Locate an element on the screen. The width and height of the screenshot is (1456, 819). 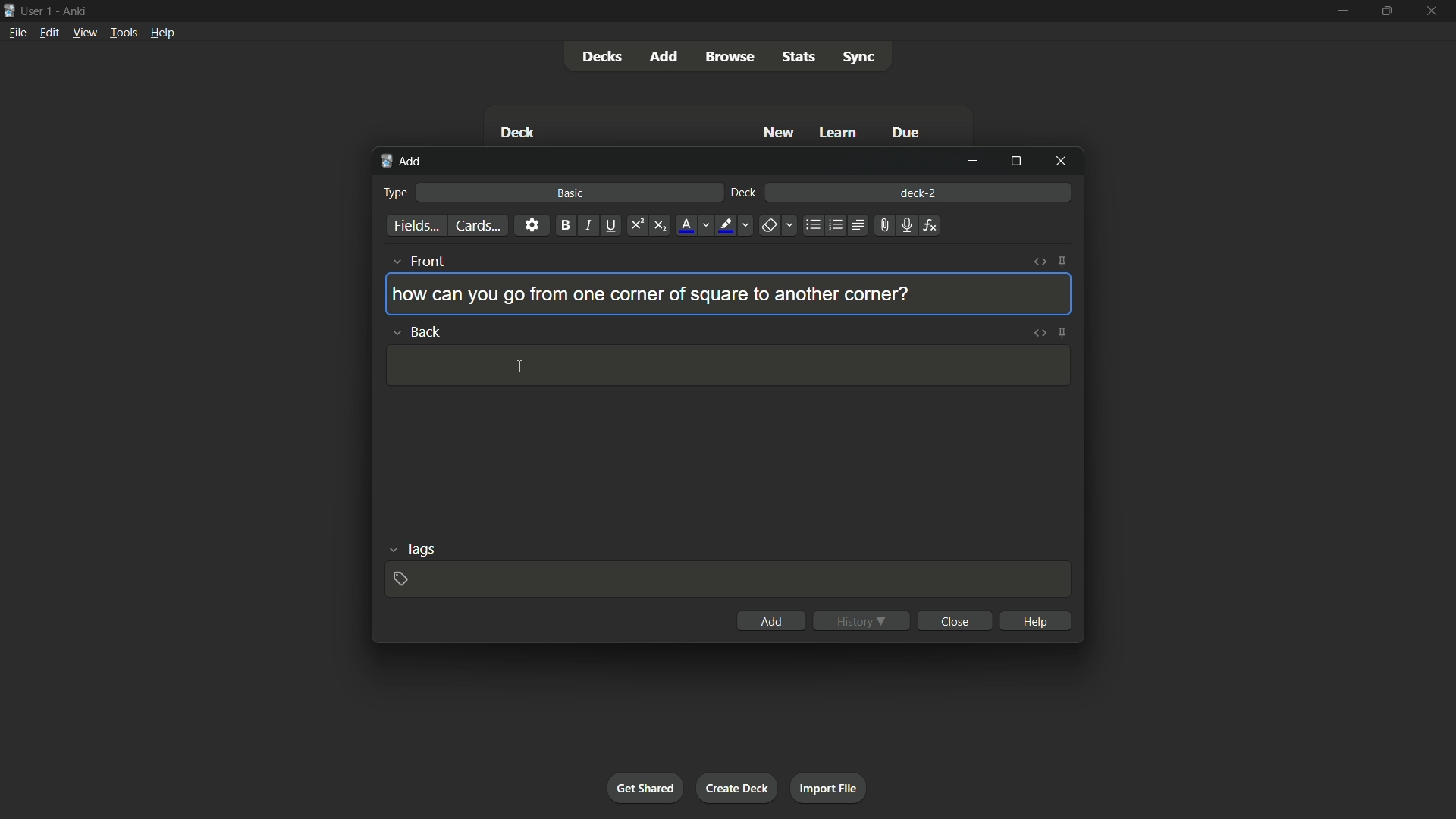
toggle html editor is located at coordinates (1043, 260).